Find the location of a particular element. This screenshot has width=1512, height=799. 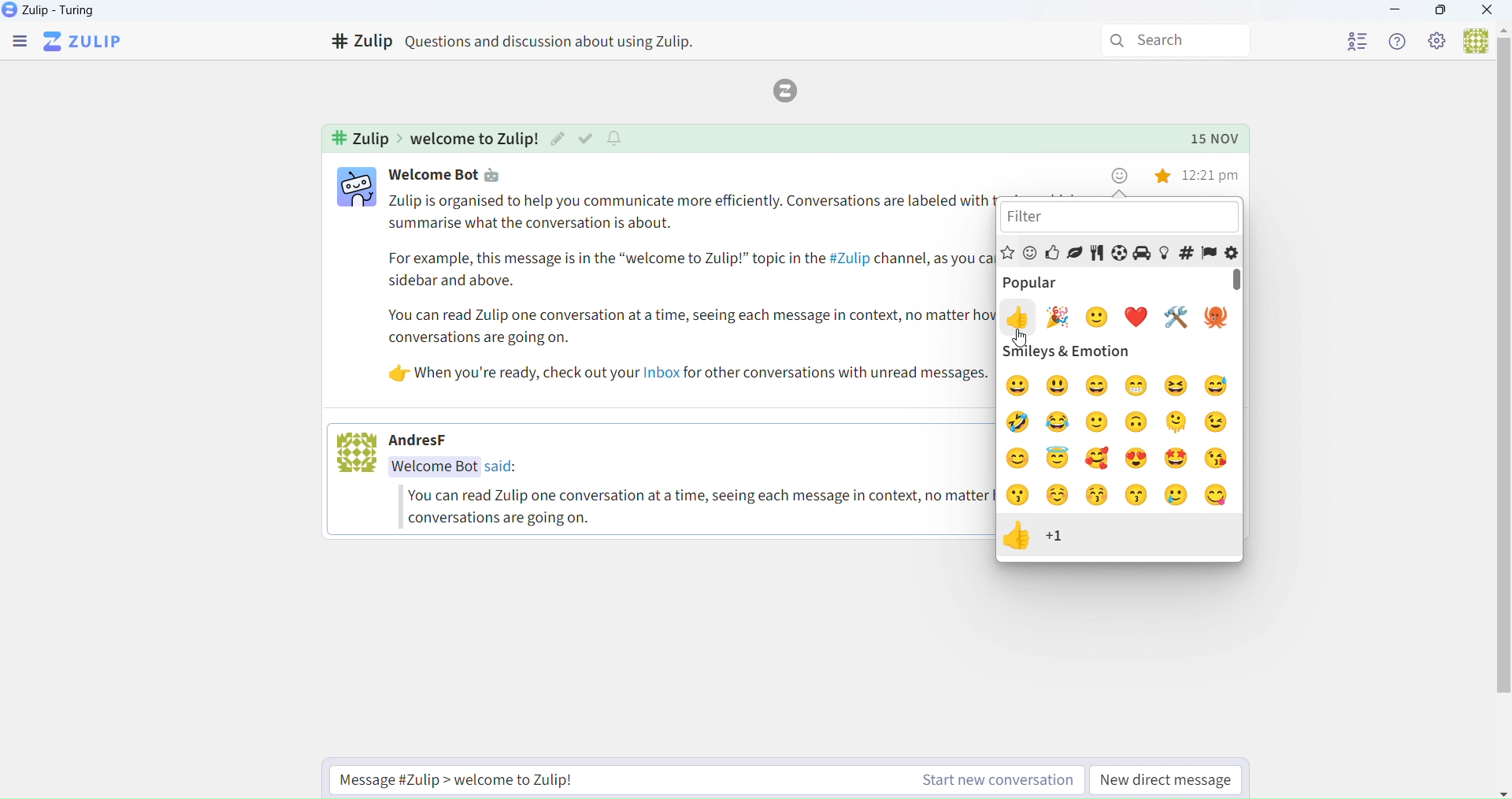

smile with closed eyes is located at coordinates (1101, 385).